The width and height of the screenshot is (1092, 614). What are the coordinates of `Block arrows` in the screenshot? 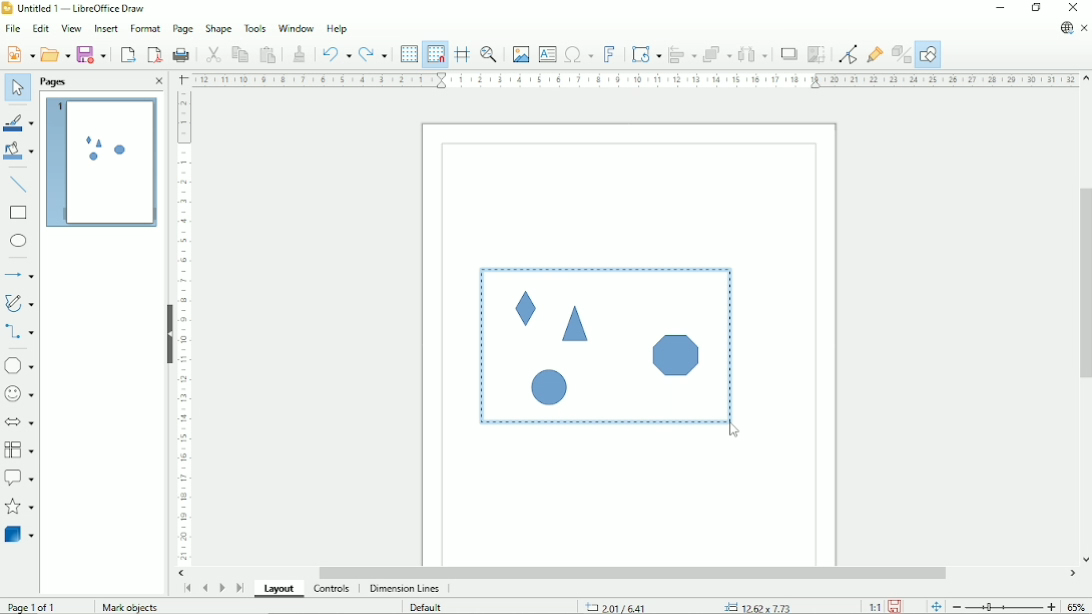 It's located at (21, 423).